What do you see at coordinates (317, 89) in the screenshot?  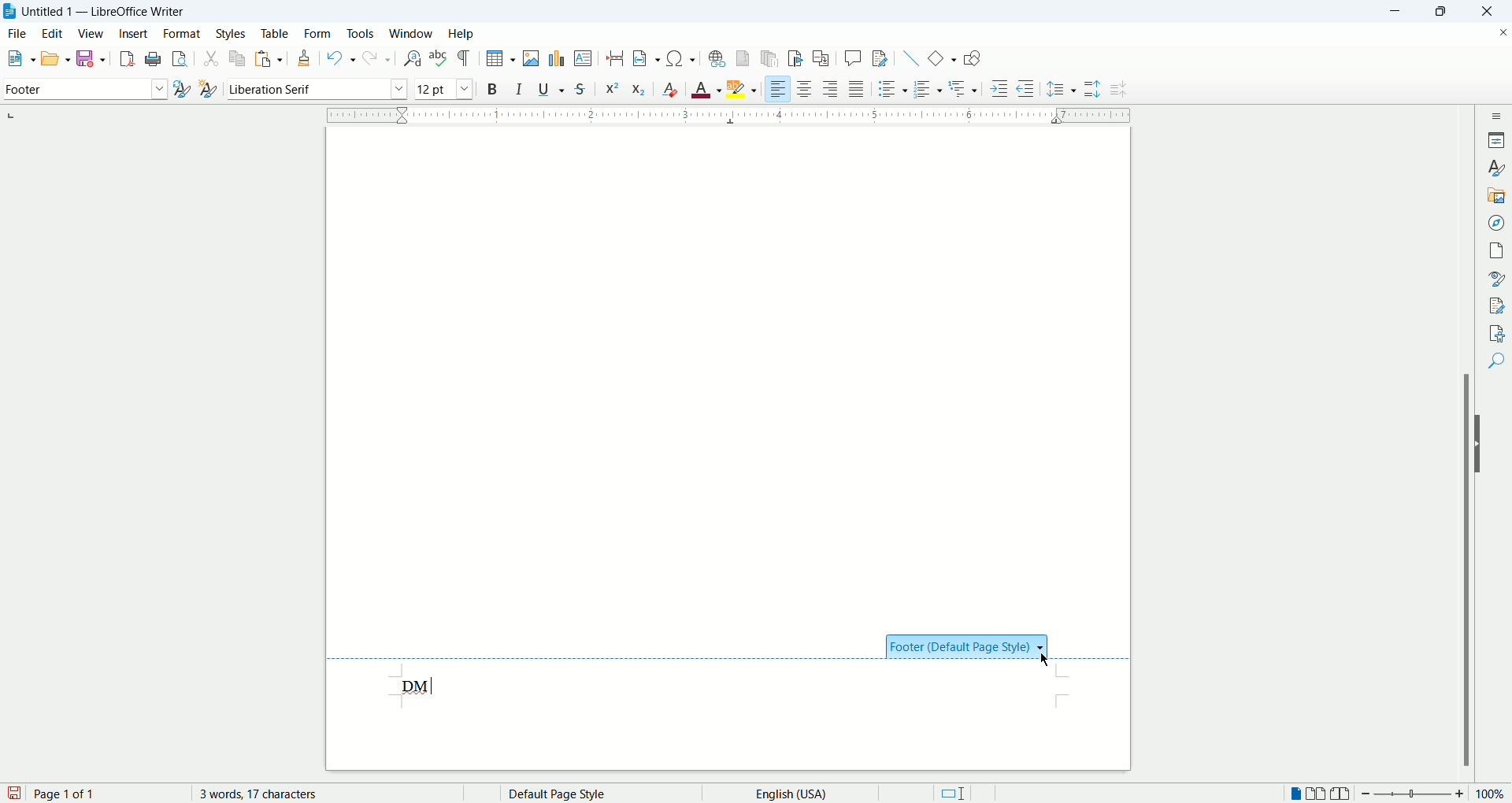 I see `font name` at bounding box center [317, 89].